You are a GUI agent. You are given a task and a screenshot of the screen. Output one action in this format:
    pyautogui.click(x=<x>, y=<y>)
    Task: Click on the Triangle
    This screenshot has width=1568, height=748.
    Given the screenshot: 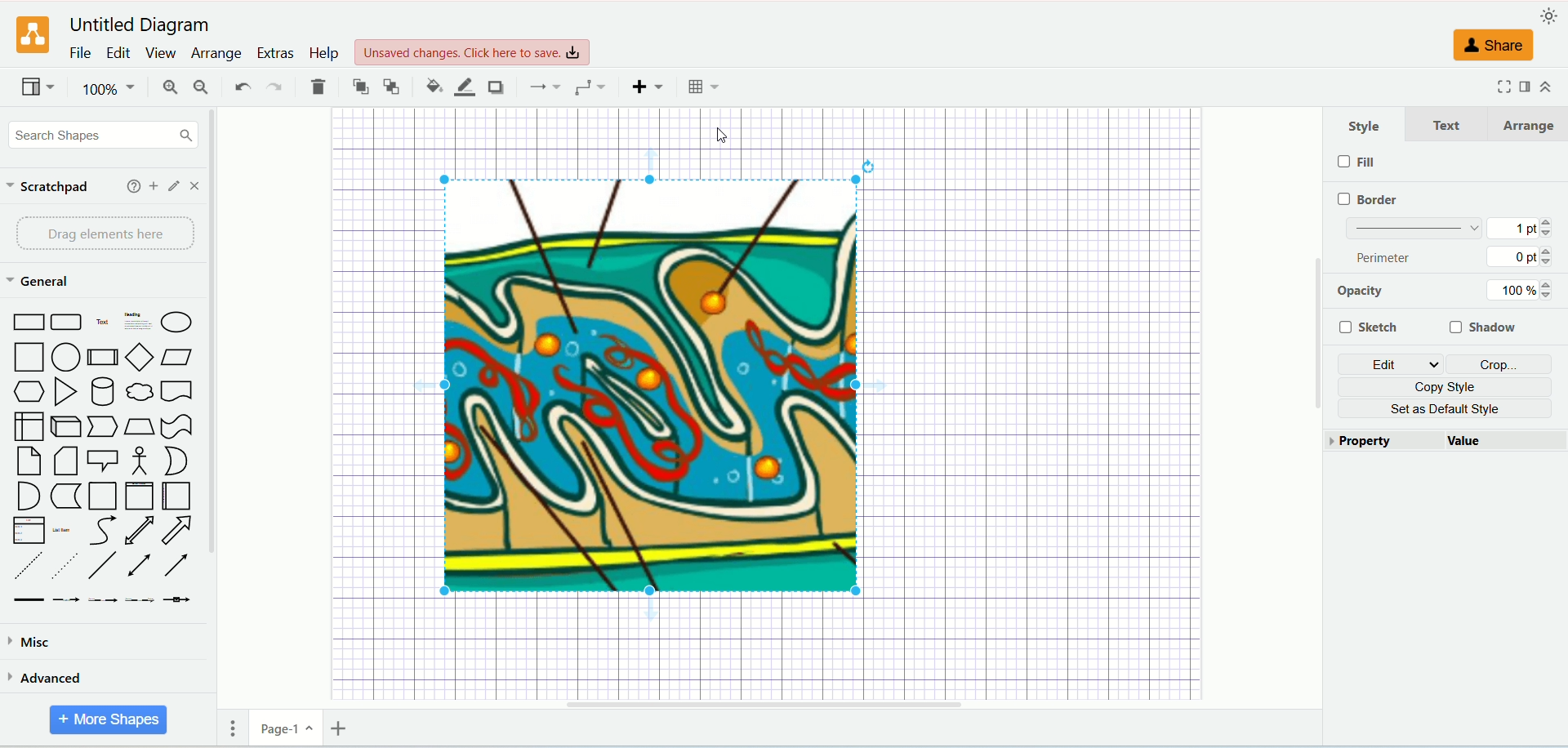 What is the action you would take?
    pyautogui.click(x=65, y=394)
    